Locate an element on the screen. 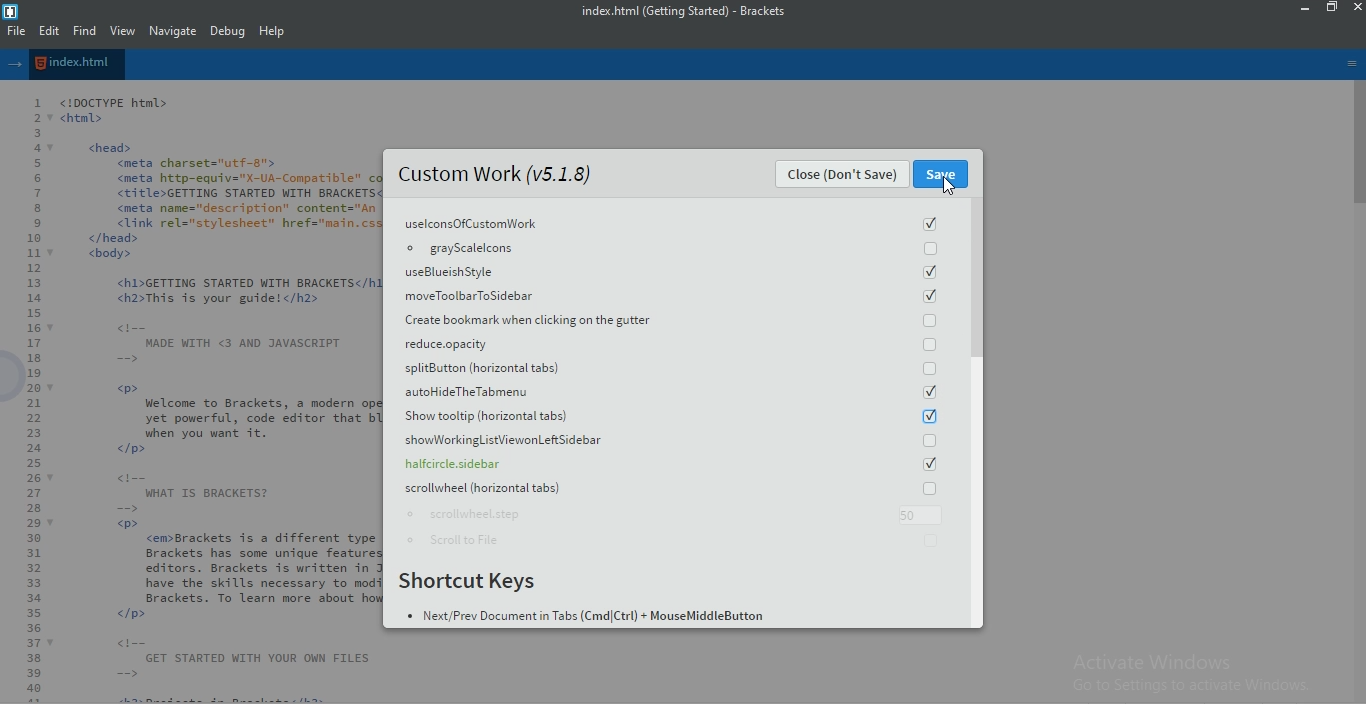  scroll bar is located at coordinates (977, 278).